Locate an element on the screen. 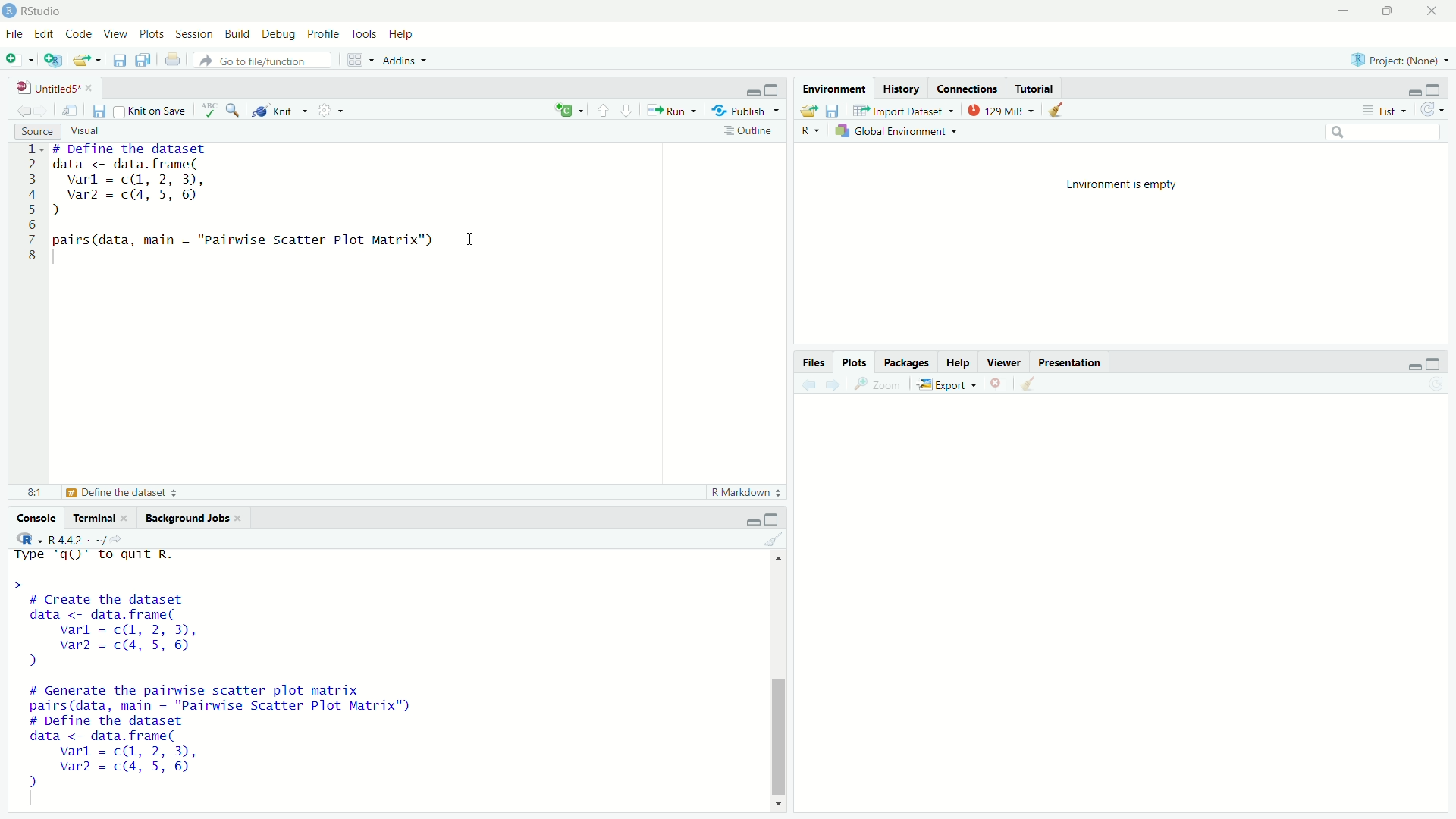  Terminal is located at coordinates (99, 516).